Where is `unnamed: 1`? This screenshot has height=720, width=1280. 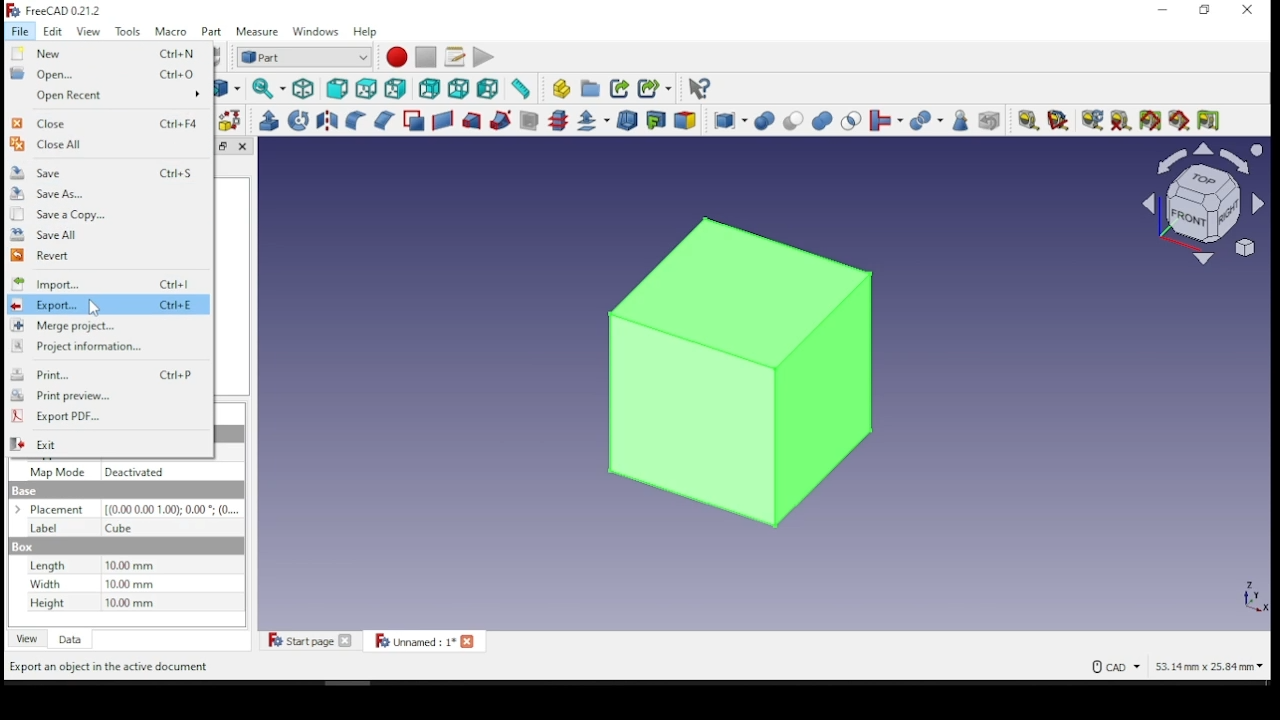
unnamed: 1 is located at coordinates (425, 640).